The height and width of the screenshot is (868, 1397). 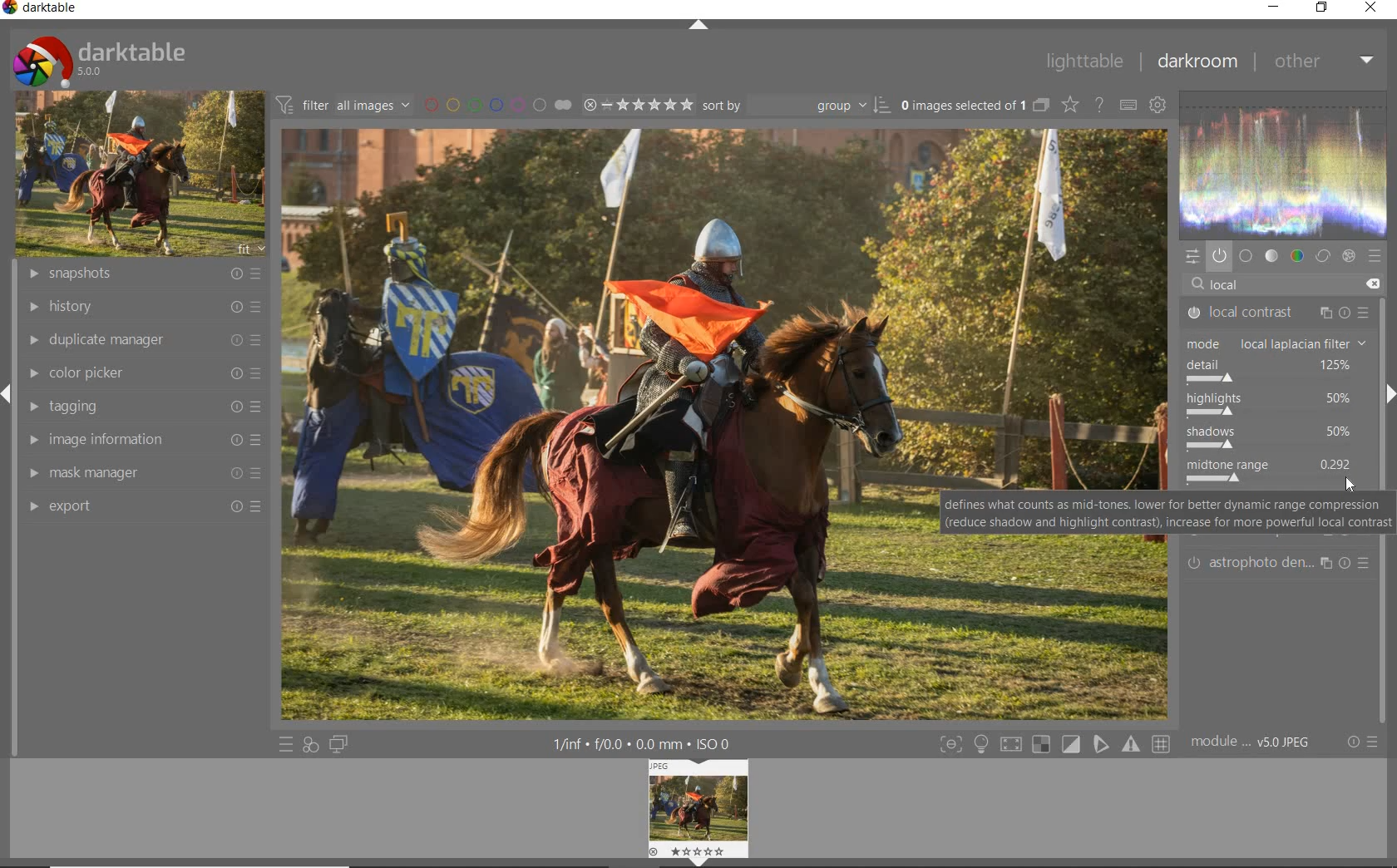 What do you see at coordinates (1071, 104) in the screenshot?
I see `change type of overlays` at bounding box center [1071, 104].